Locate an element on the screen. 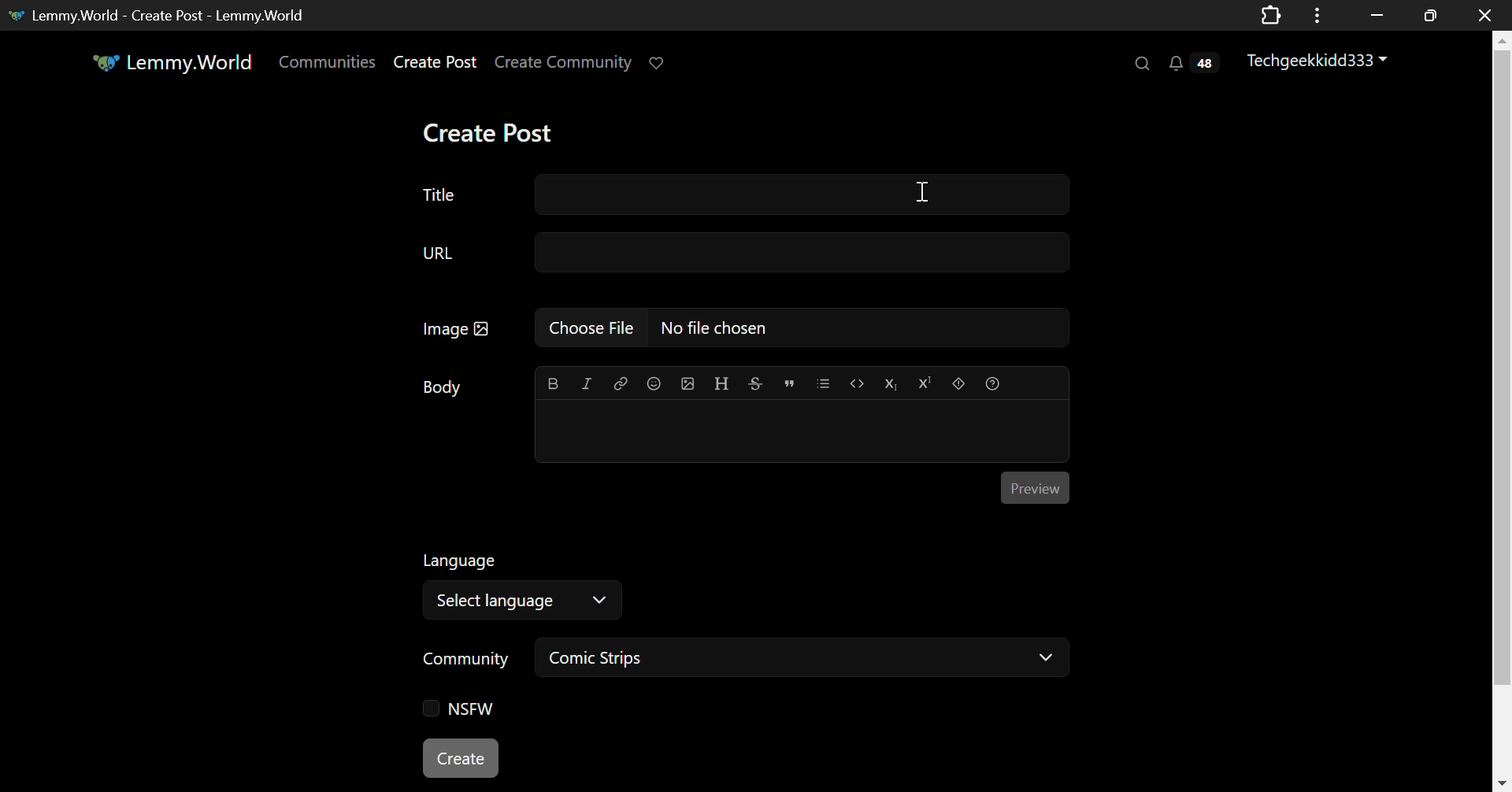  Search  is located at coordinates (1141, 63).